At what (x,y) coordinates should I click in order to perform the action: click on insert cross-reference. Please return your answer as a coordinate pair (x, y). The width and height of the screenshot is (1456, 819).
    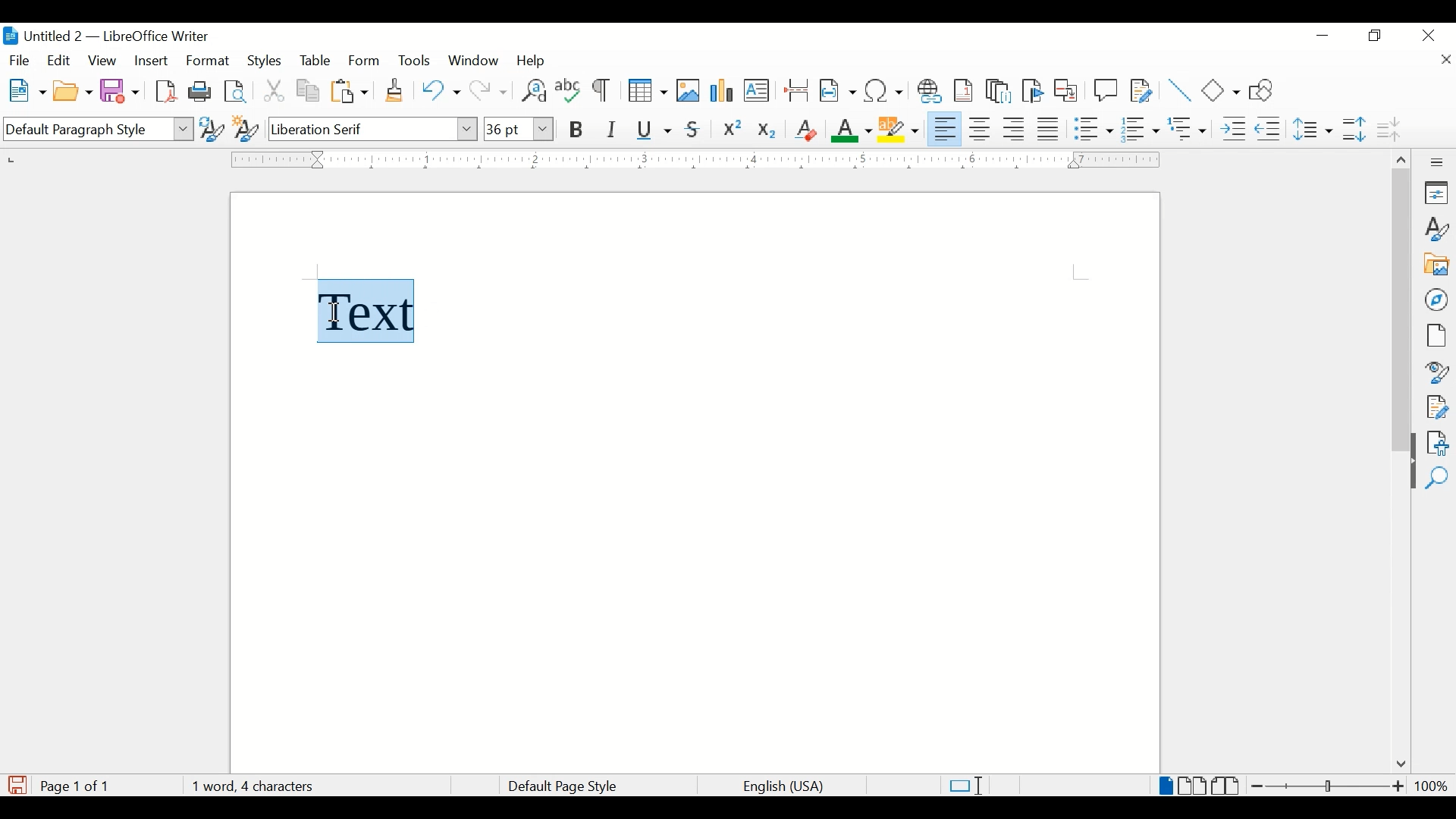
    Looking at the image, I should click on (1066, 89).